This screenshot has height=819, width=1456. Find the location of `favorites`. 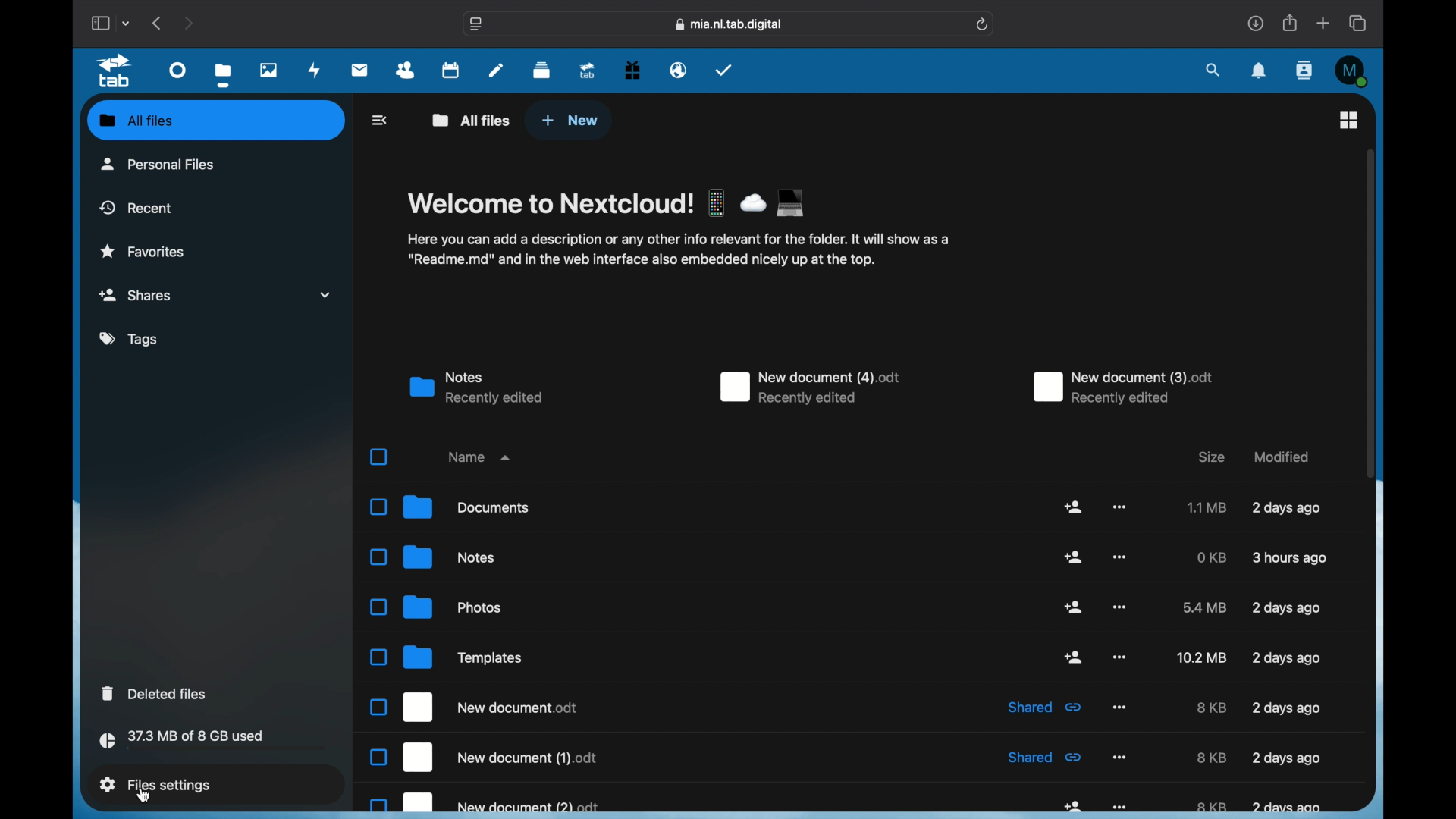

favorites is located at coordinates (144, 252).